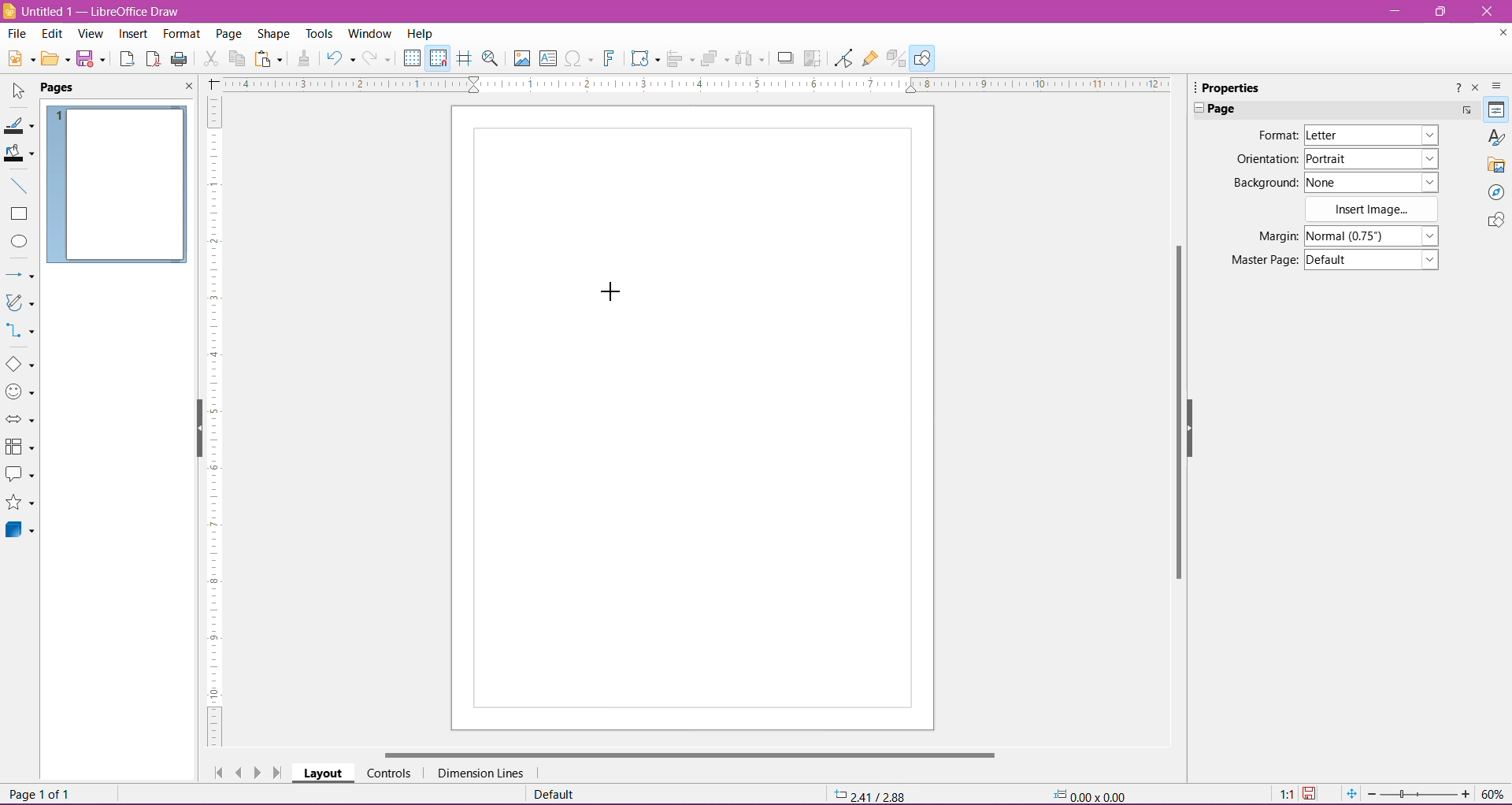 Image resolution: width=1512 pixels, height=805 pixels. What do you see at coordinates (749, 58) in the screenshot?
I see `Select atleast three objects to distribute` at bounding box center [749, 58].